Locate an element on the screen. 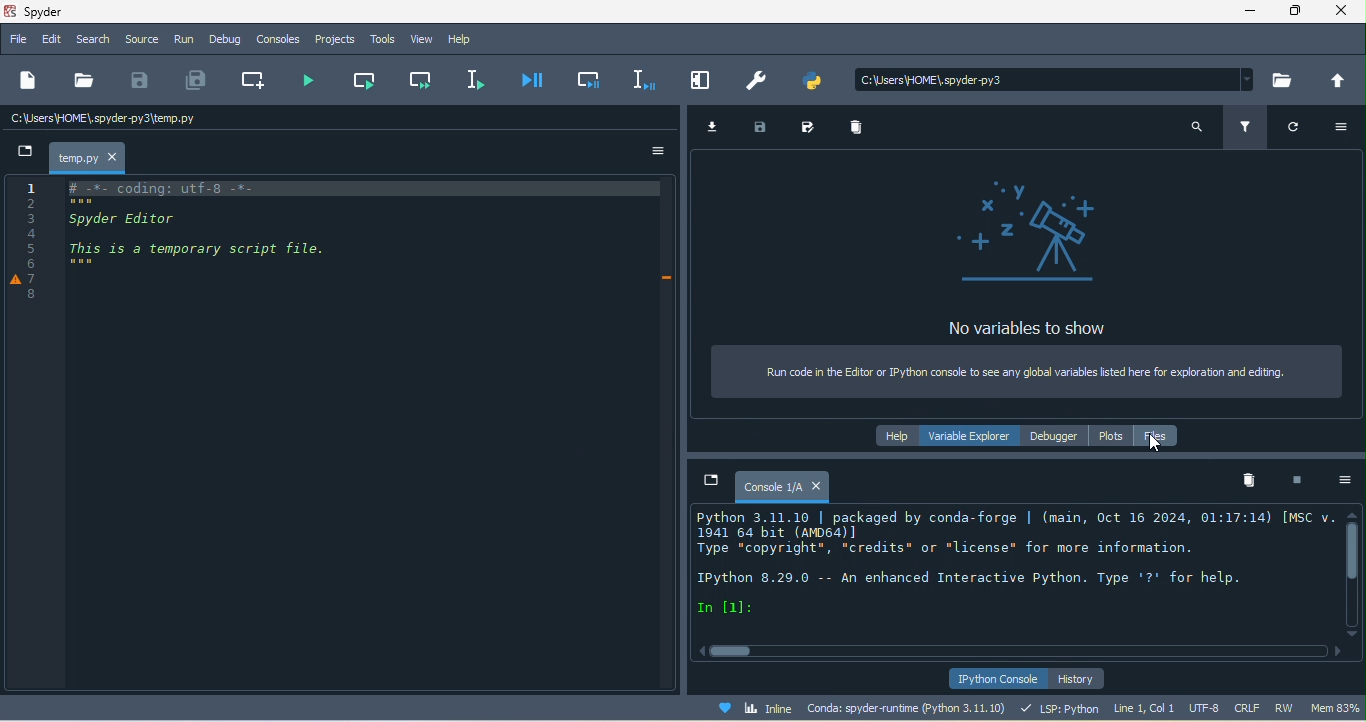 The height and width of the screenshot is (722, 1366). new is located at coordinates (34, 80).